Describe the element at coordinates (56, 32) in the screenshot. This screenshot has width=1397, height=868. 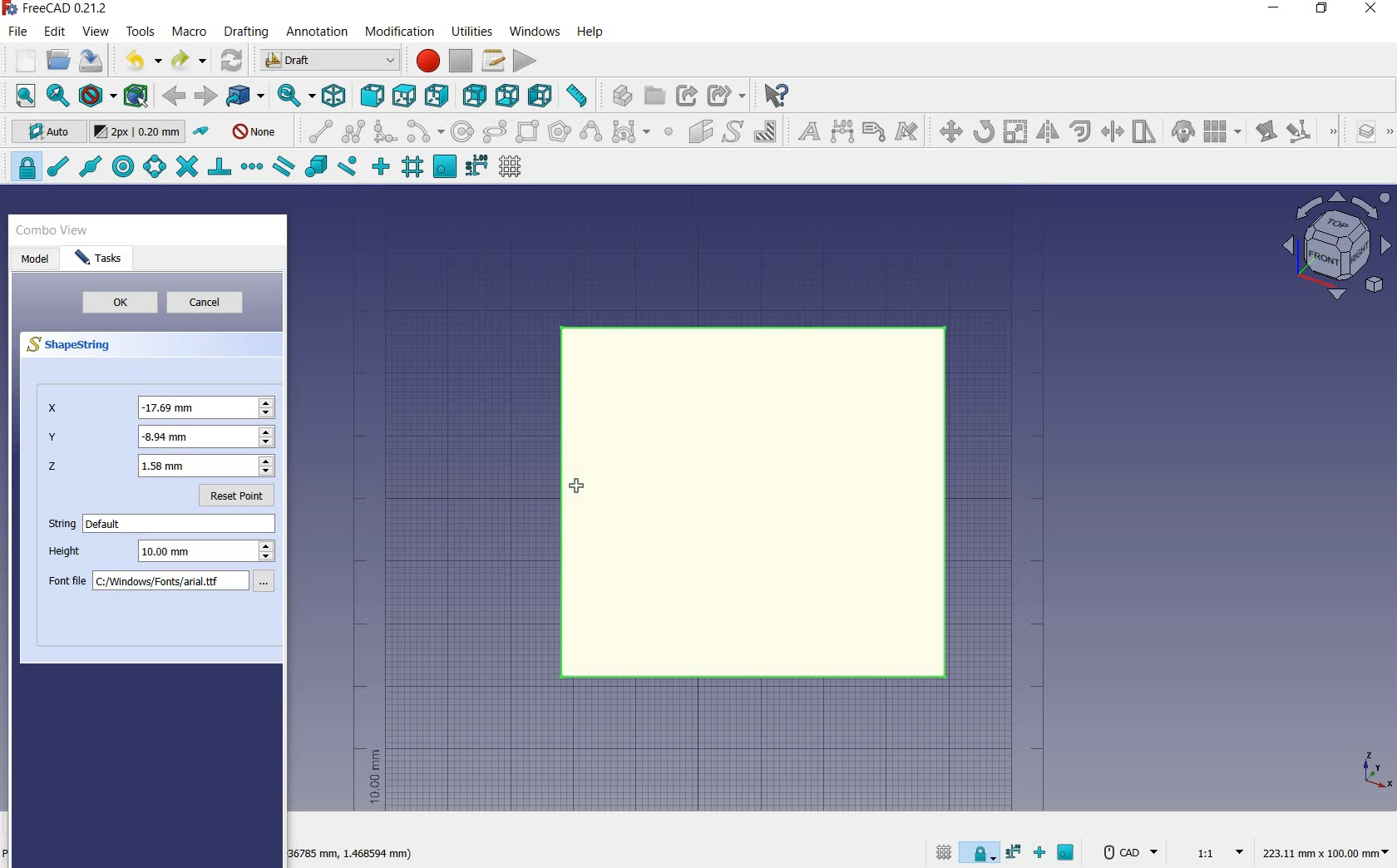
I see `edit` at that location.